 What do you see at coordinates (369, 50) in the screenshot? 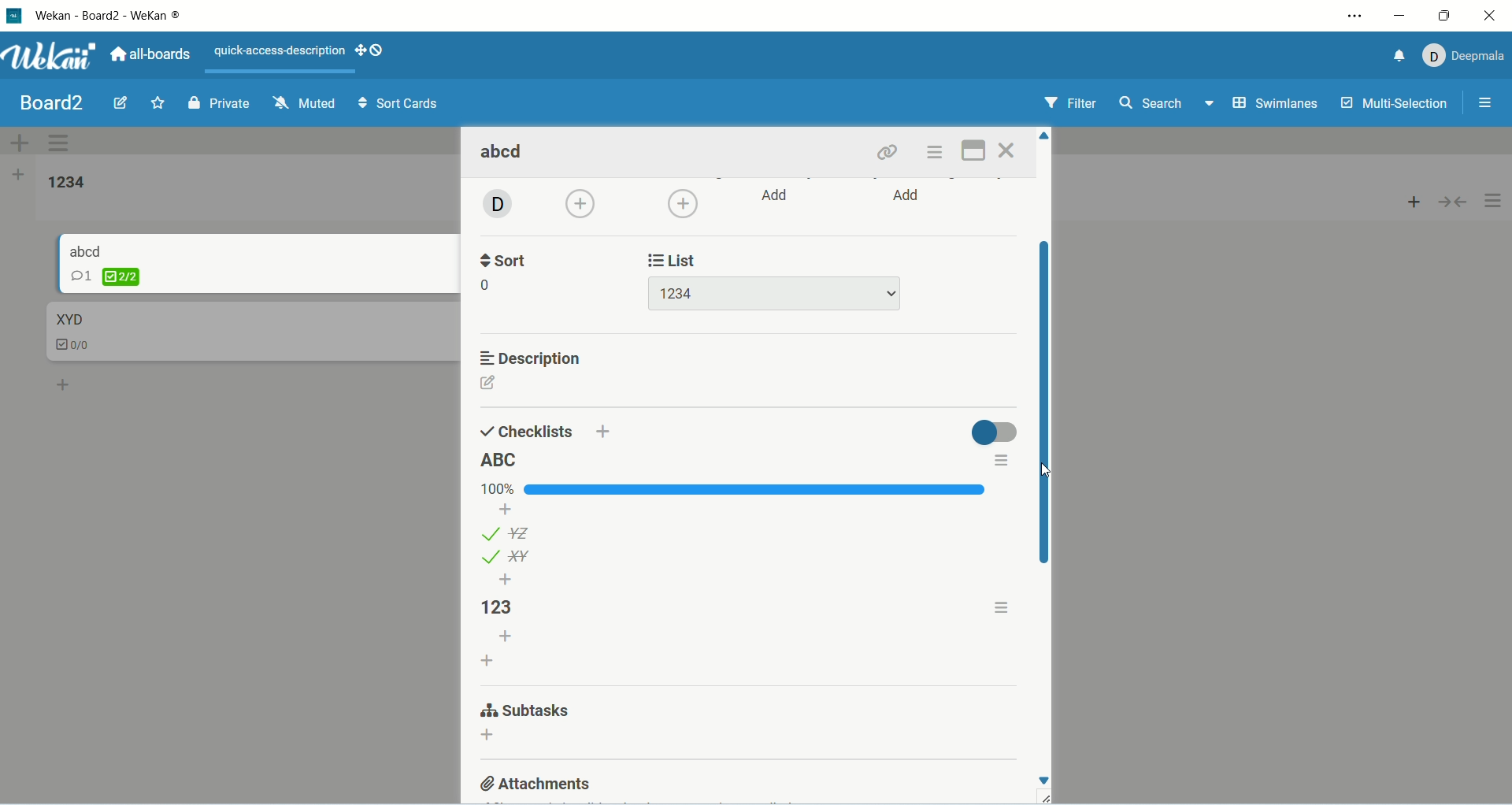
I see `SHOW-DESKTOP-DRAG-HANDLES` at bounding box center [369, 50].